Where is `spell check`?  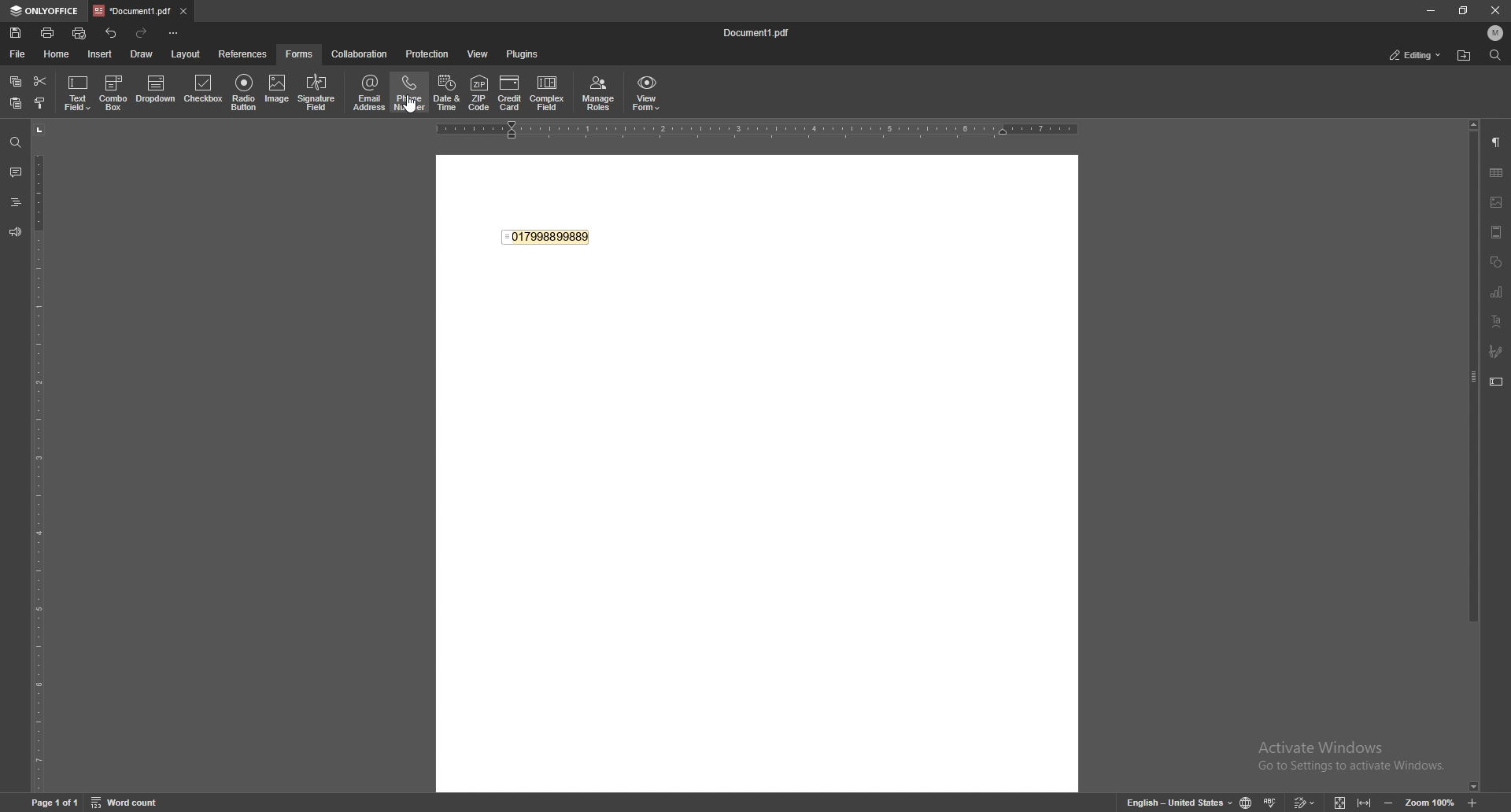
spell check is located at coordinates (1273, 802).